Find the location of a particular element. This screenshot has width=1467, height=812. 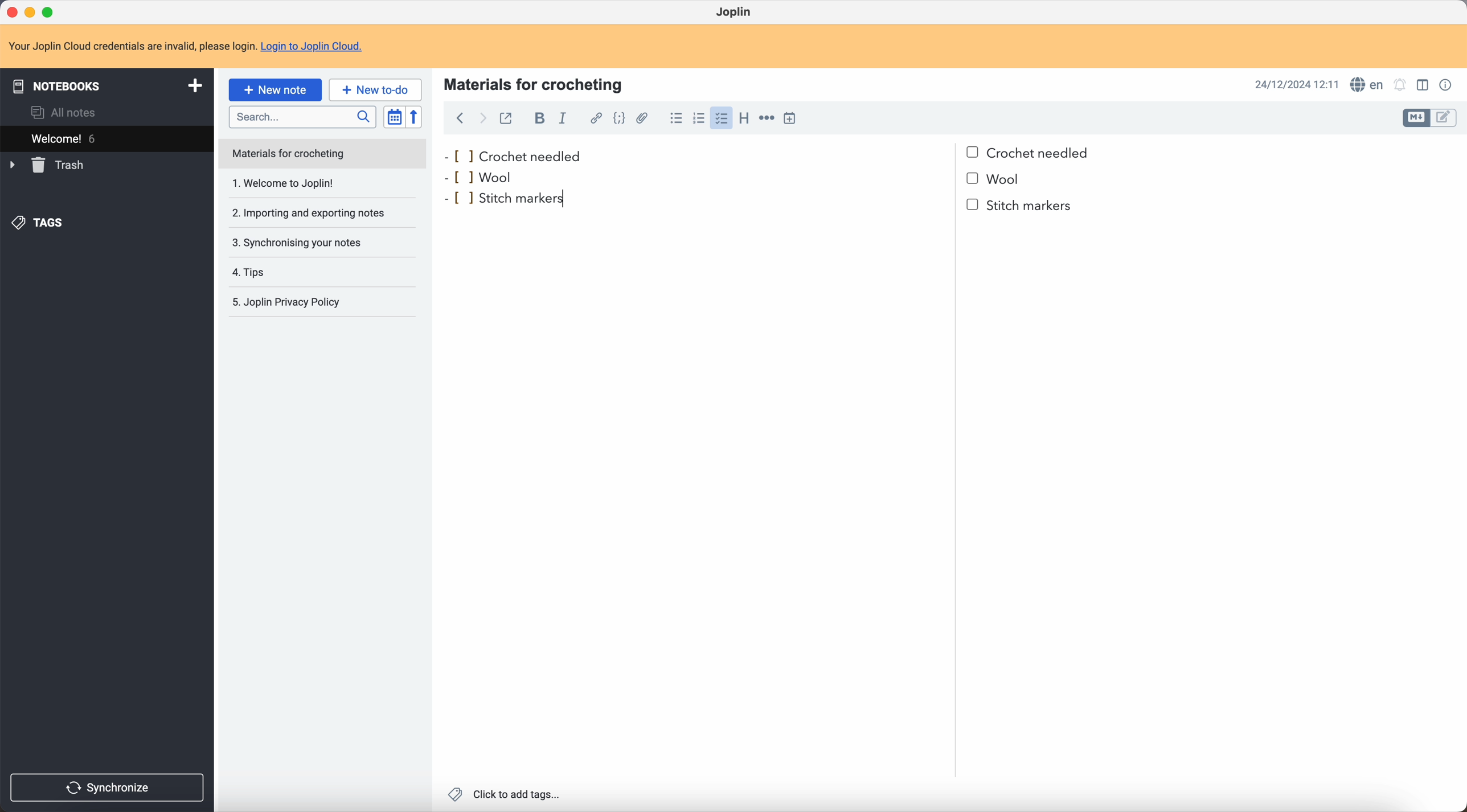

bold is located at coordinates (536, 118).